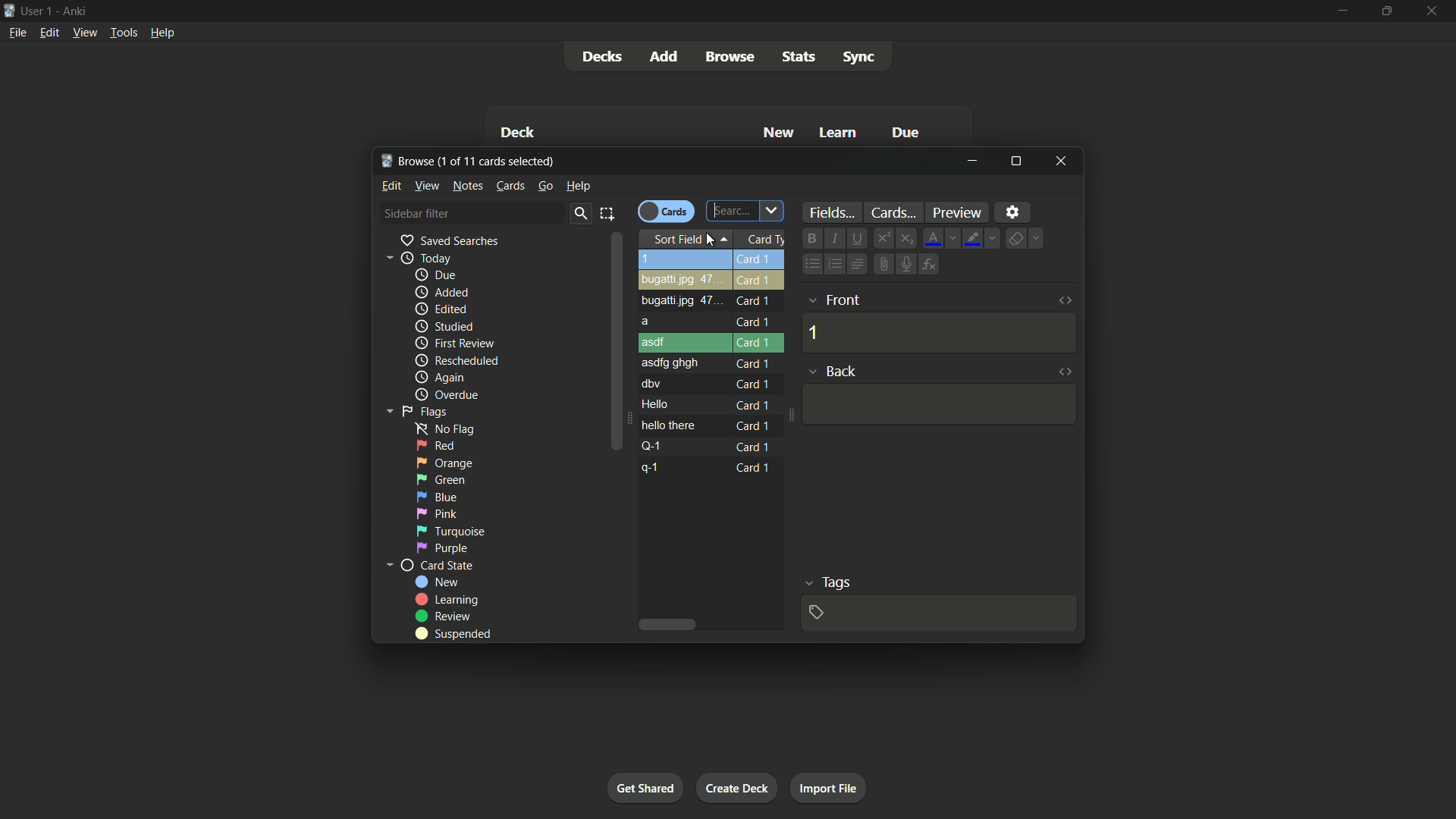 This screenshot has height=819, width=1456. Describe the element at coordinates (1017, 239) in the screenshot. I see `remove formatting` at that location.